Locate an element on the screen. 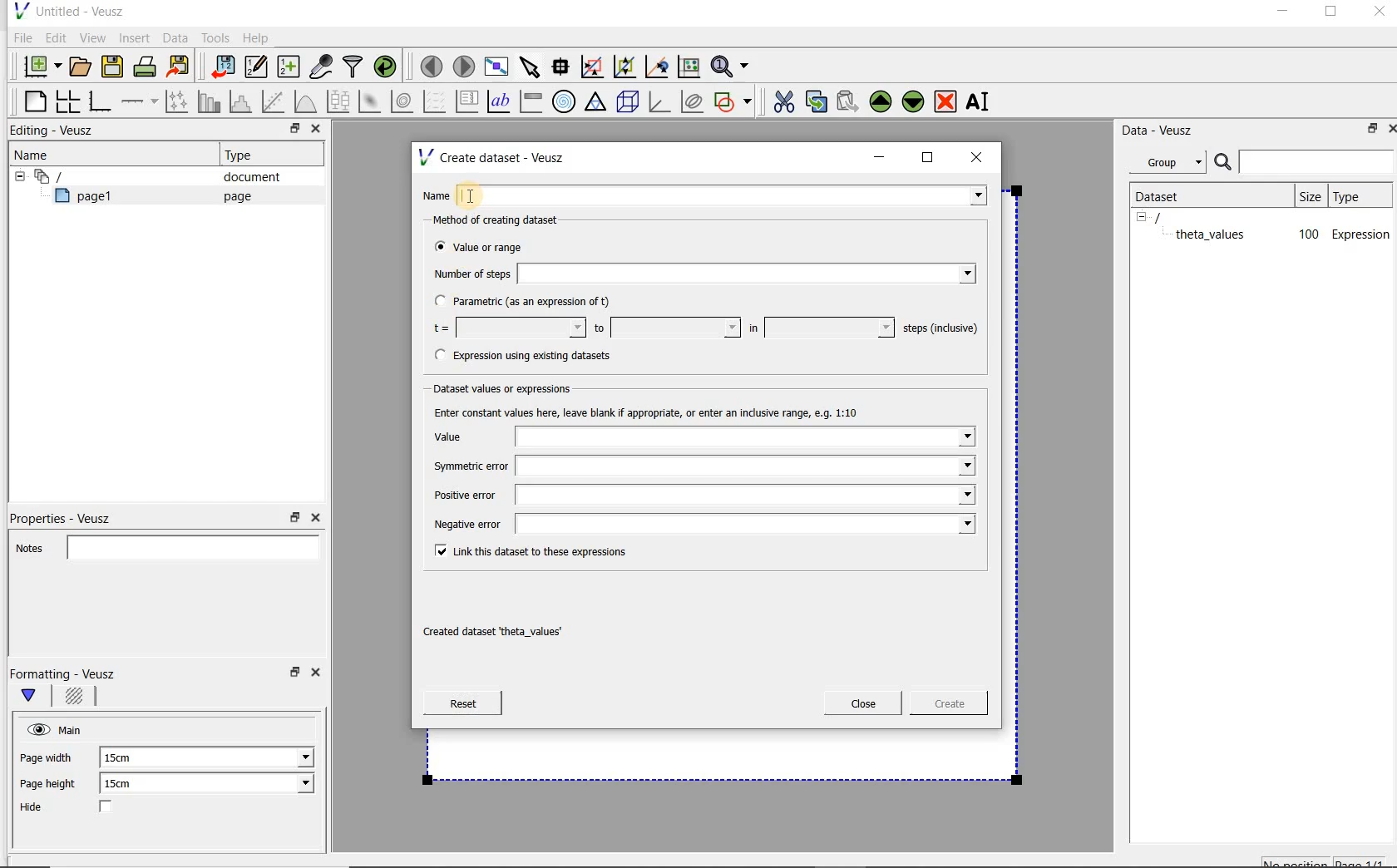  plot a function is located at coordinates (304, 101).